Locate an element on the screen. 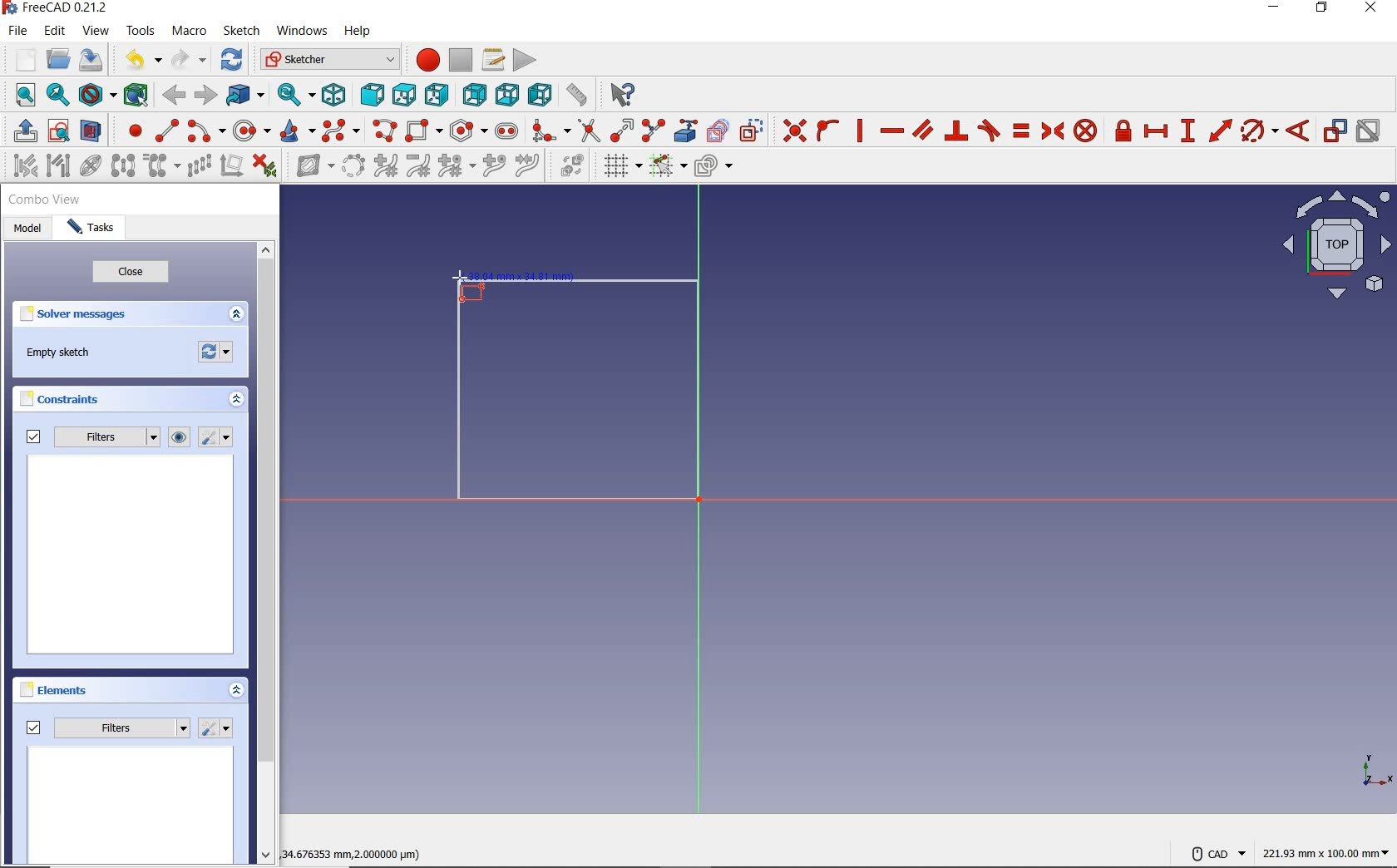 Image resolution: width=1397 pixels, height=868 pixels. fit all is located at coordinates (20, 96).